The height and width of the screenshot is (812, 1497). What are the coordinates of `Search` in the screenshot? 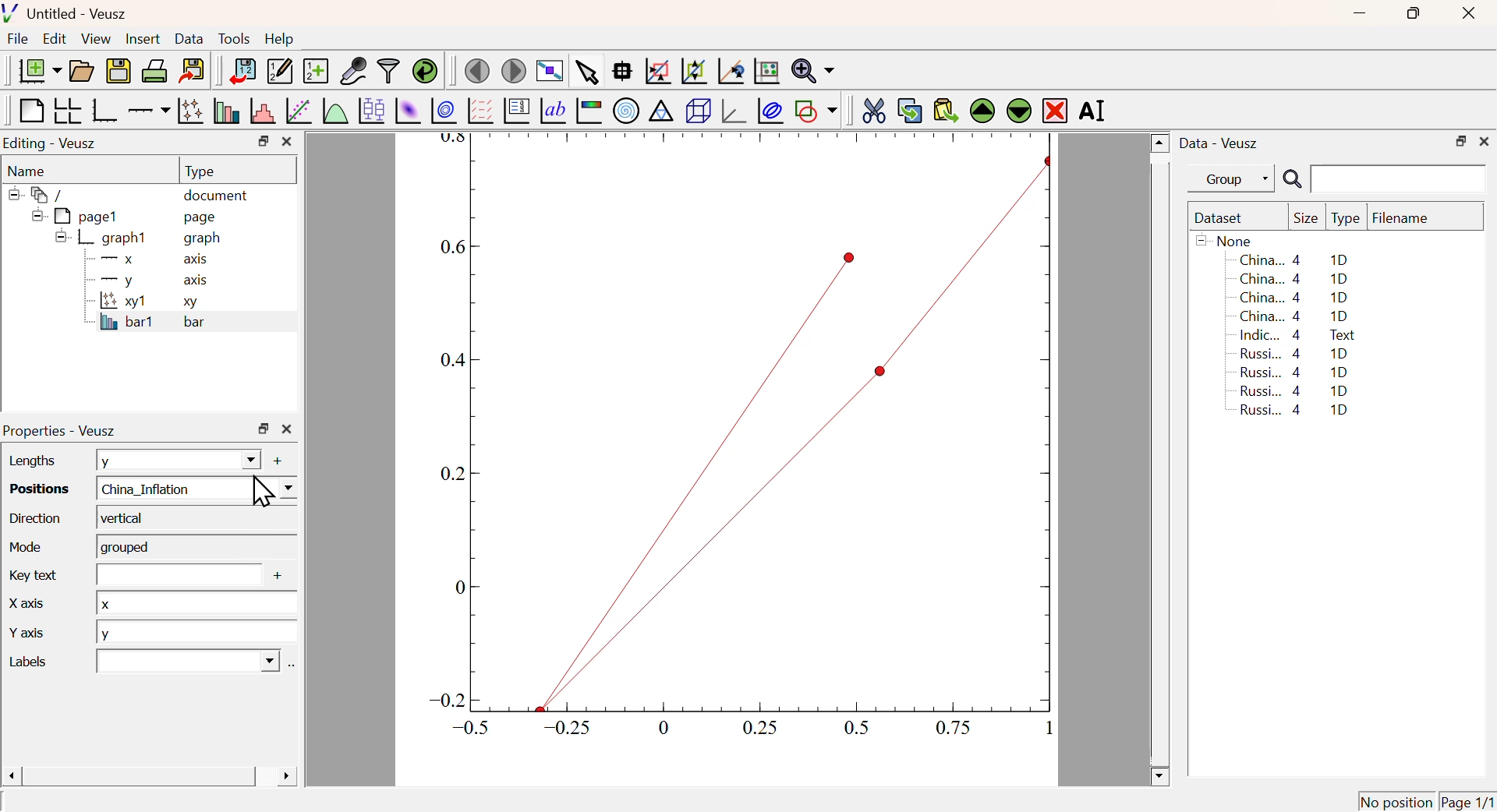 It's located at (1292, 180).